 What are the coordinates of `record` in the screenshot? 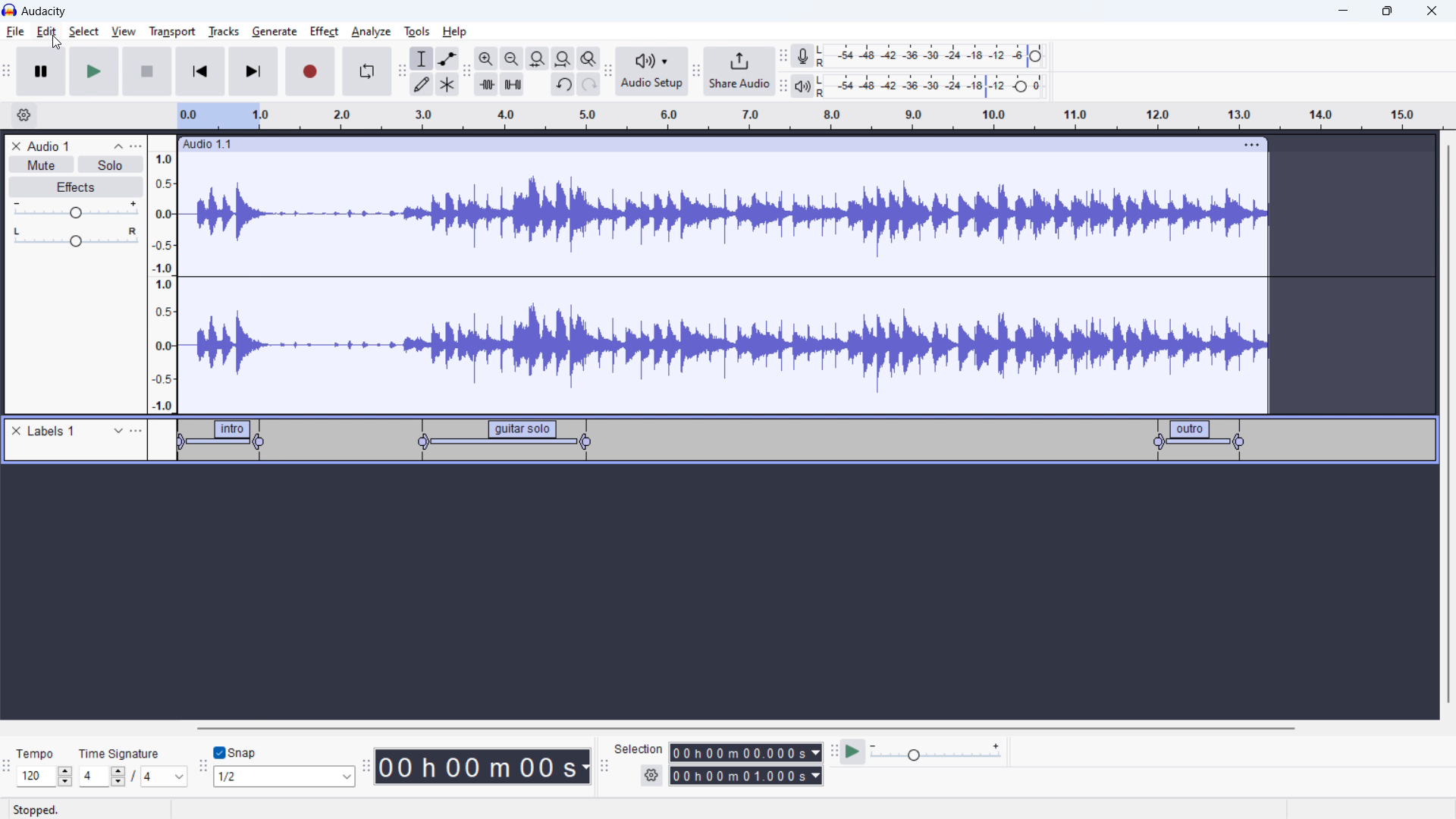 It's located at (311, 71).